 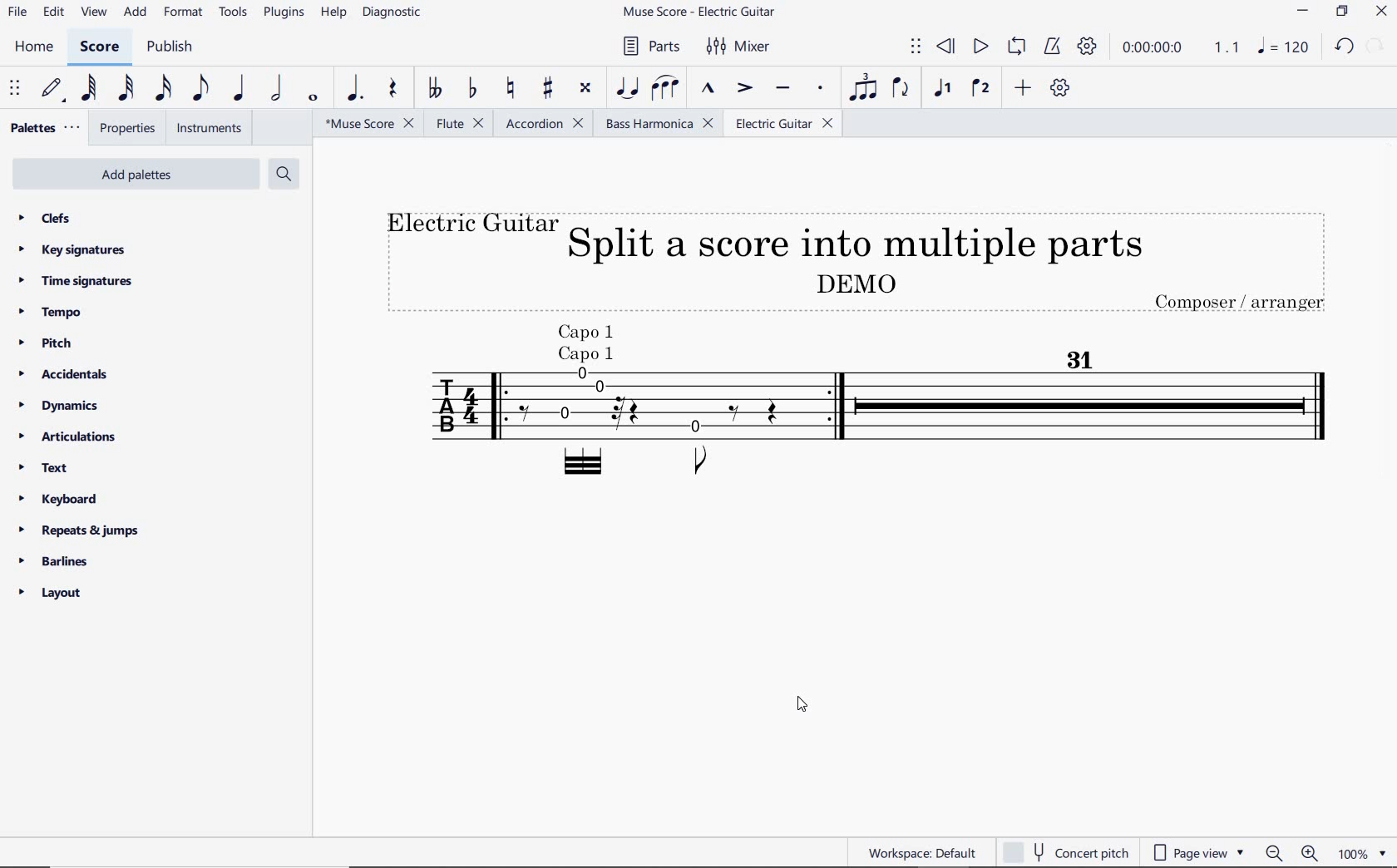 I want to click on half note, so click(x=276, y=88).